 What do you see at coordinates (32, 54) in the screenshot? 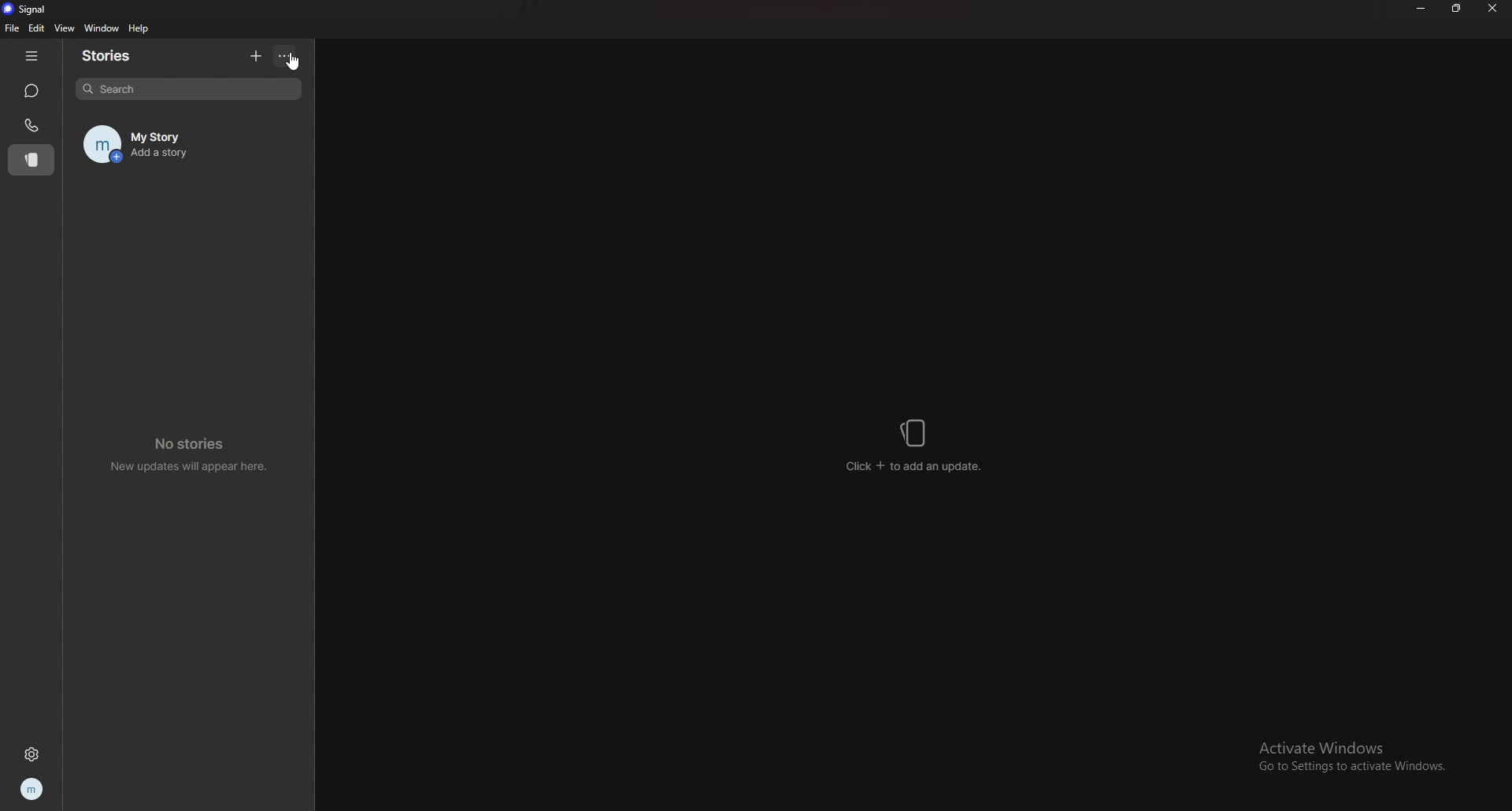
I see `hide tab` at bounding box center [32, 54].